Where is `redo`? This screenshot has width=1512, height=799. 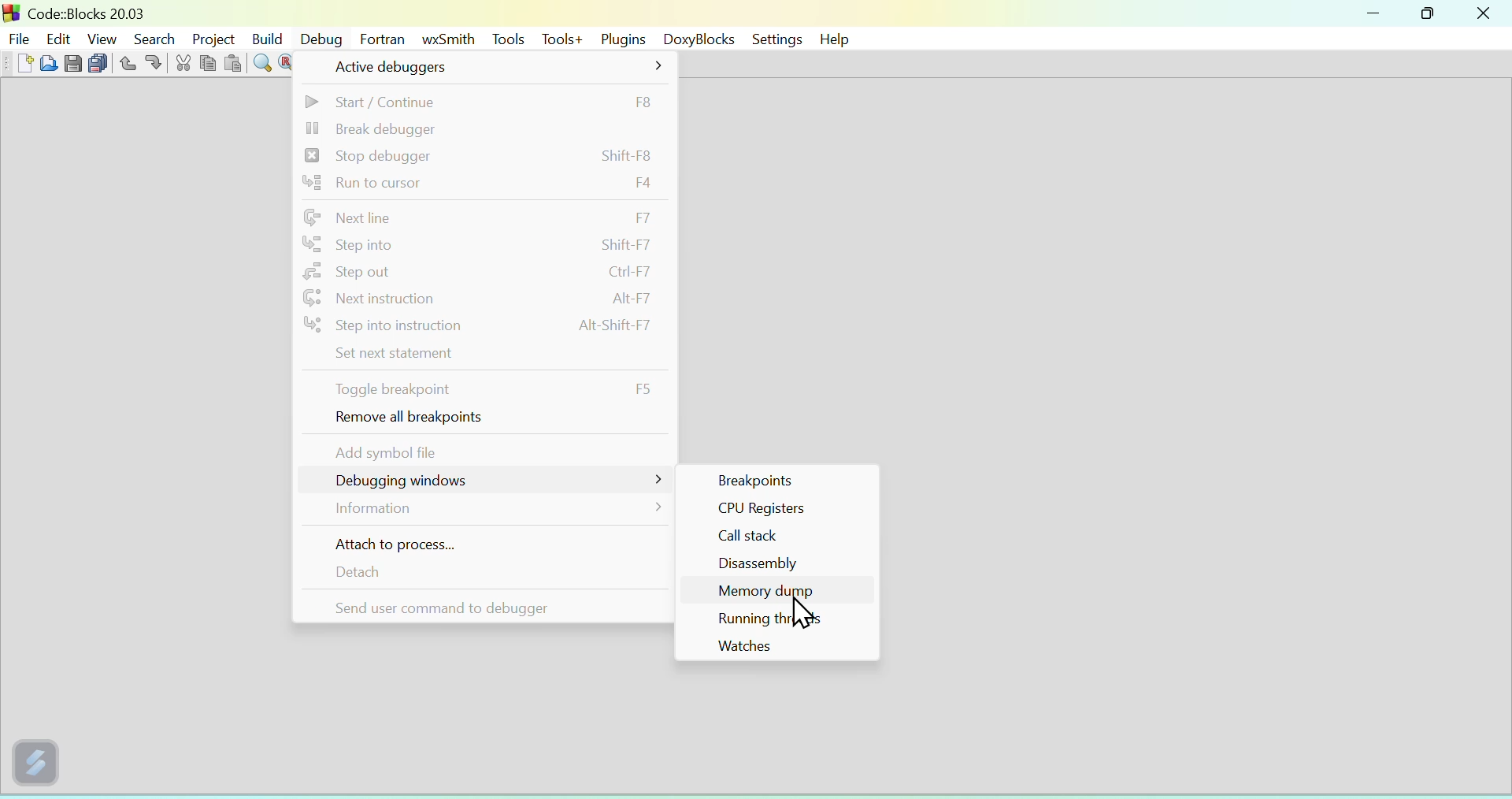
redo is located at coordinates (154, 64).